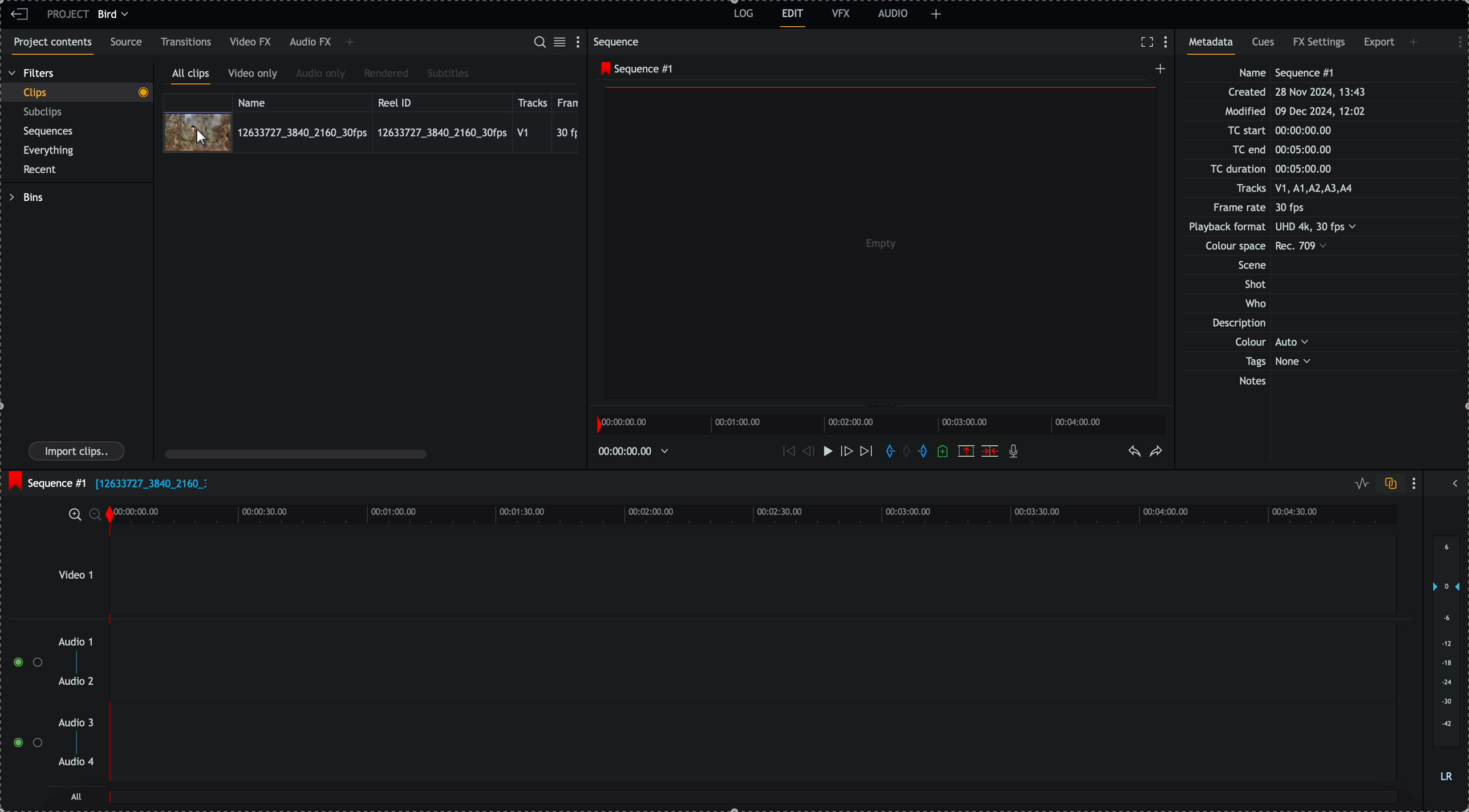 Image resolution: width=1469 pixels, height=812 pixels. Describe the element at coordinates (321, 75) in the screenshot. I see `audio only` at that location.